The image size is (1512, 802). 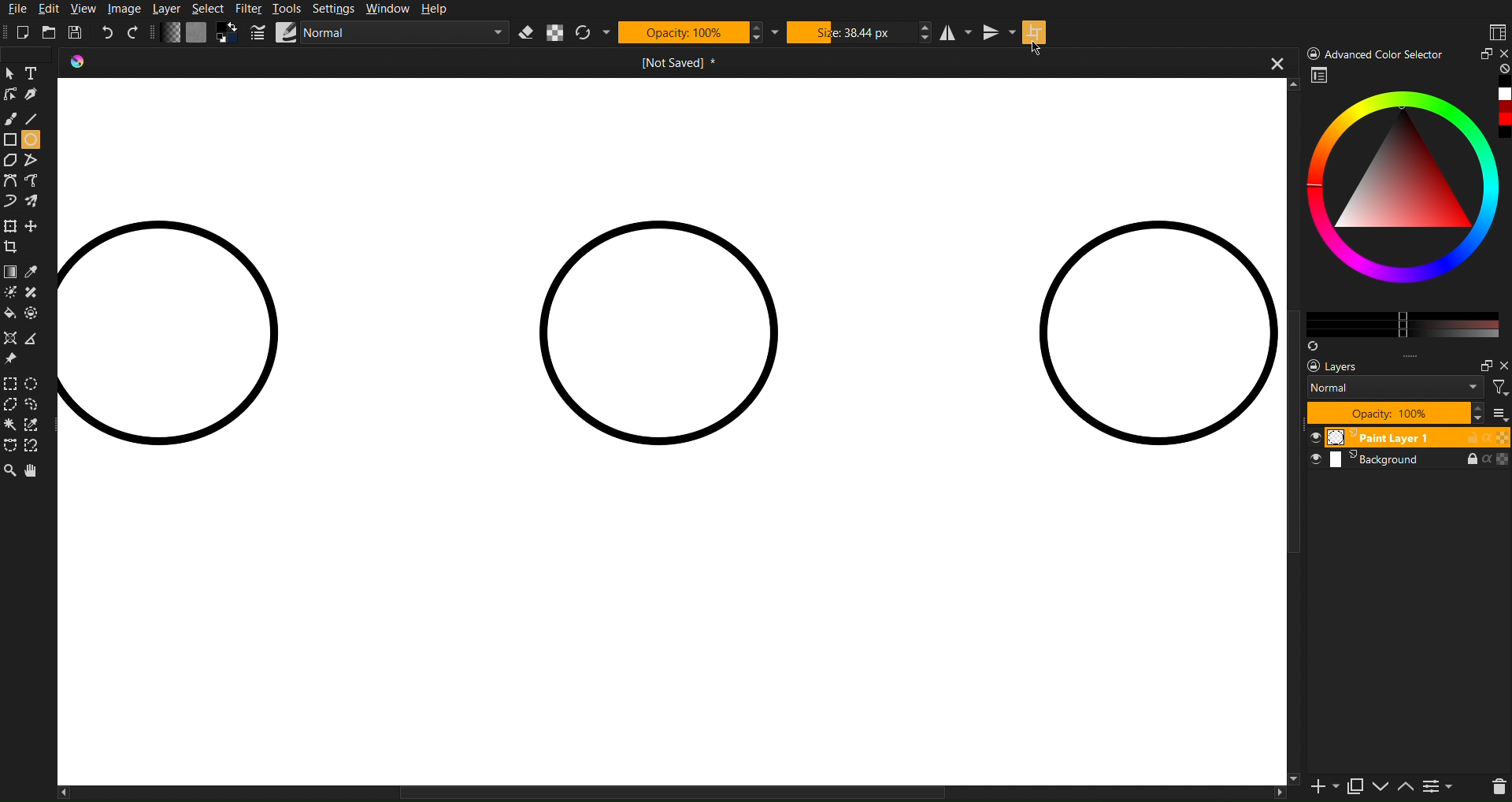 What do you see at coordinates (33, 139) in the screenshot?
I see `Circle` at bounding box center [33, 139].